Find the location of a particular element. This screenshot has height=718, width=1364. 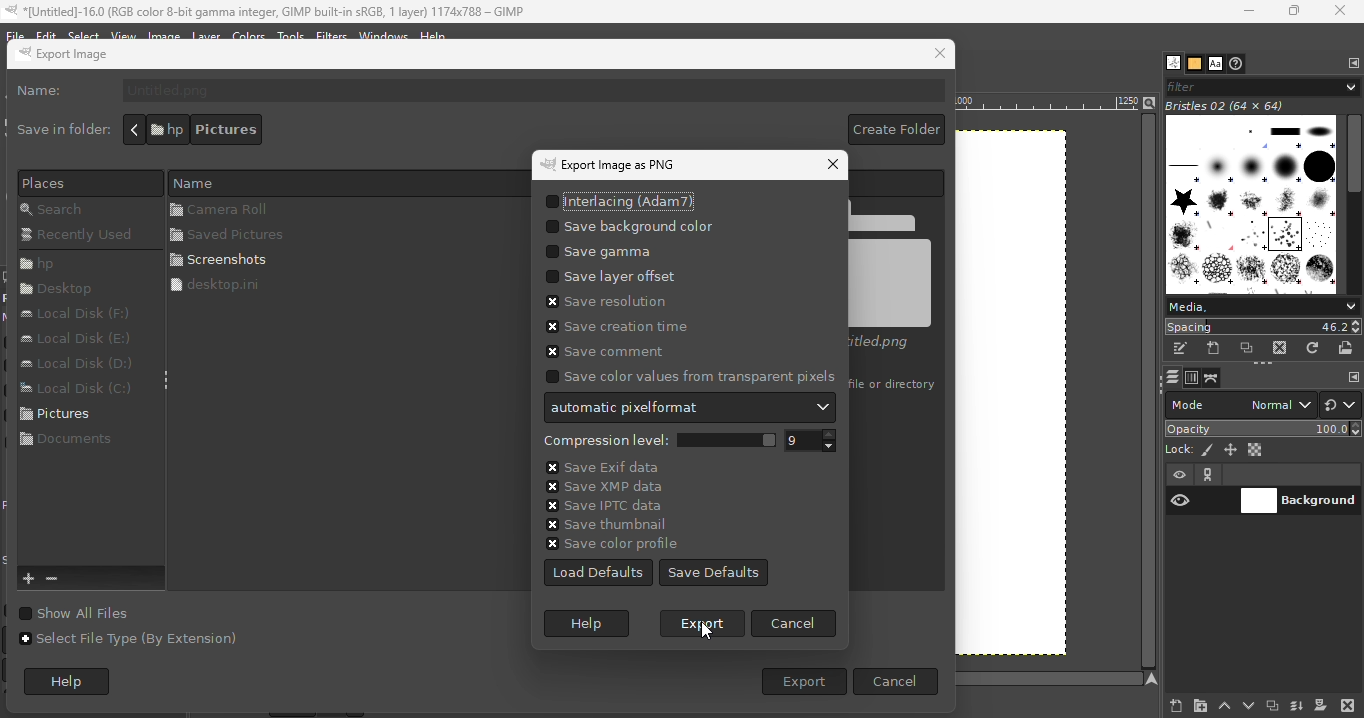

Export is located at coordinates (796, 682).